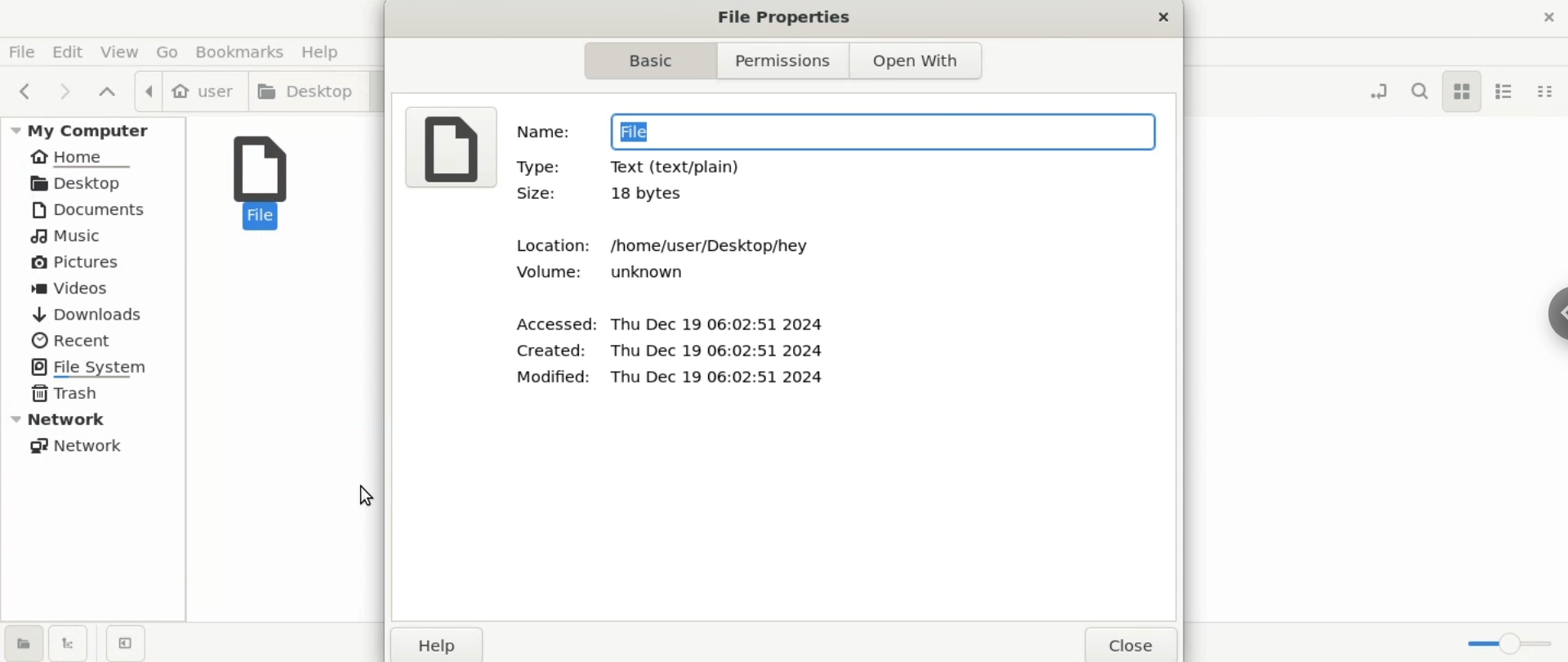 The width and height of the screenshot is (1568, 662). I want to click on help, so click(328, 51).